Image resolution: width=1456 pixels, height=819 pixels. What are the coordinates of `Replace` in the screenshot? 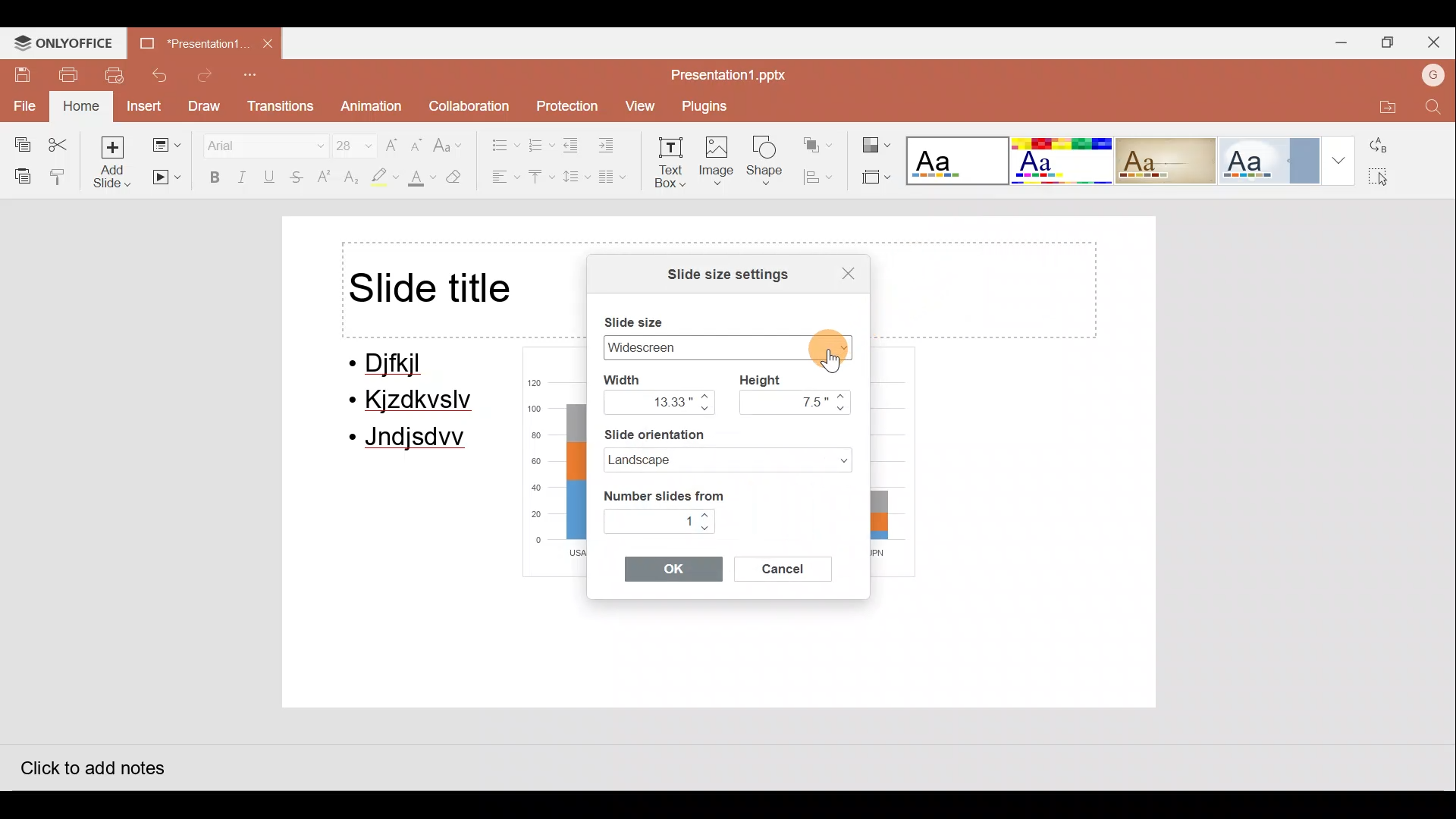 It's located at (1387, 142).